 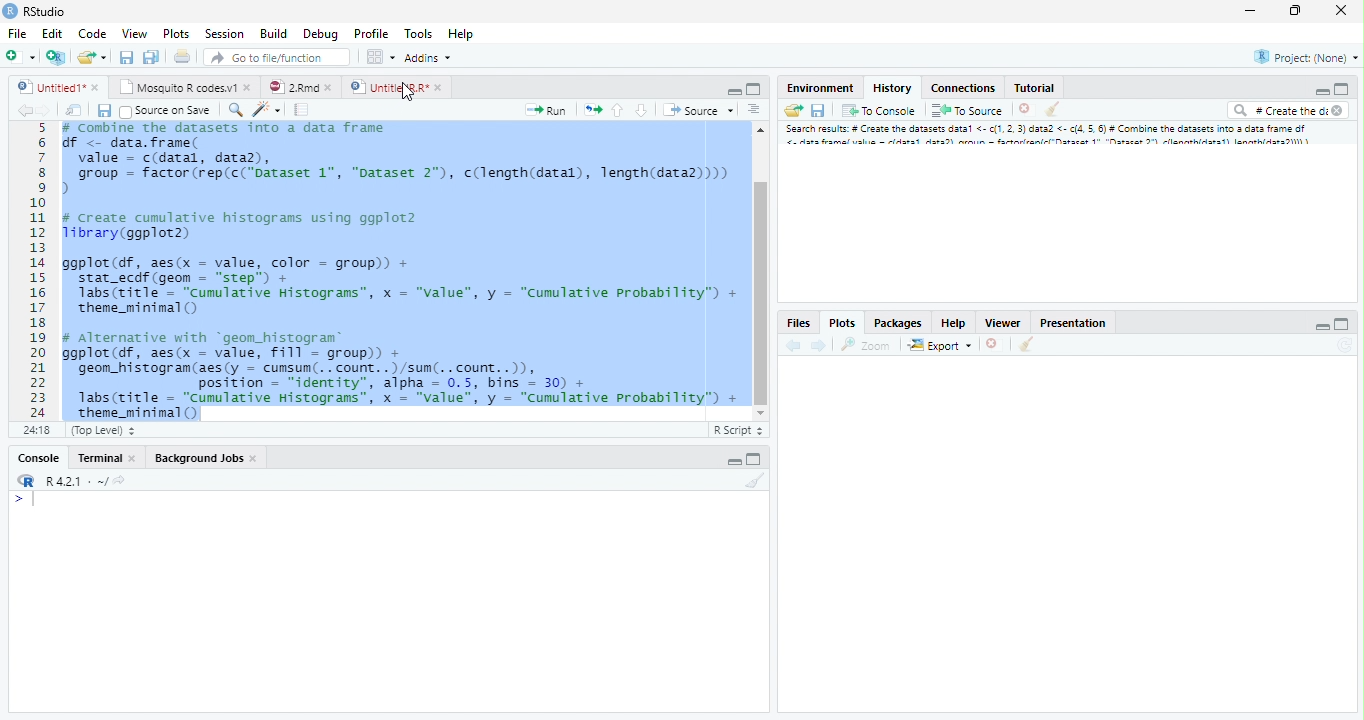 I want to click on Go to the previous section, so click(x=619, y=113).